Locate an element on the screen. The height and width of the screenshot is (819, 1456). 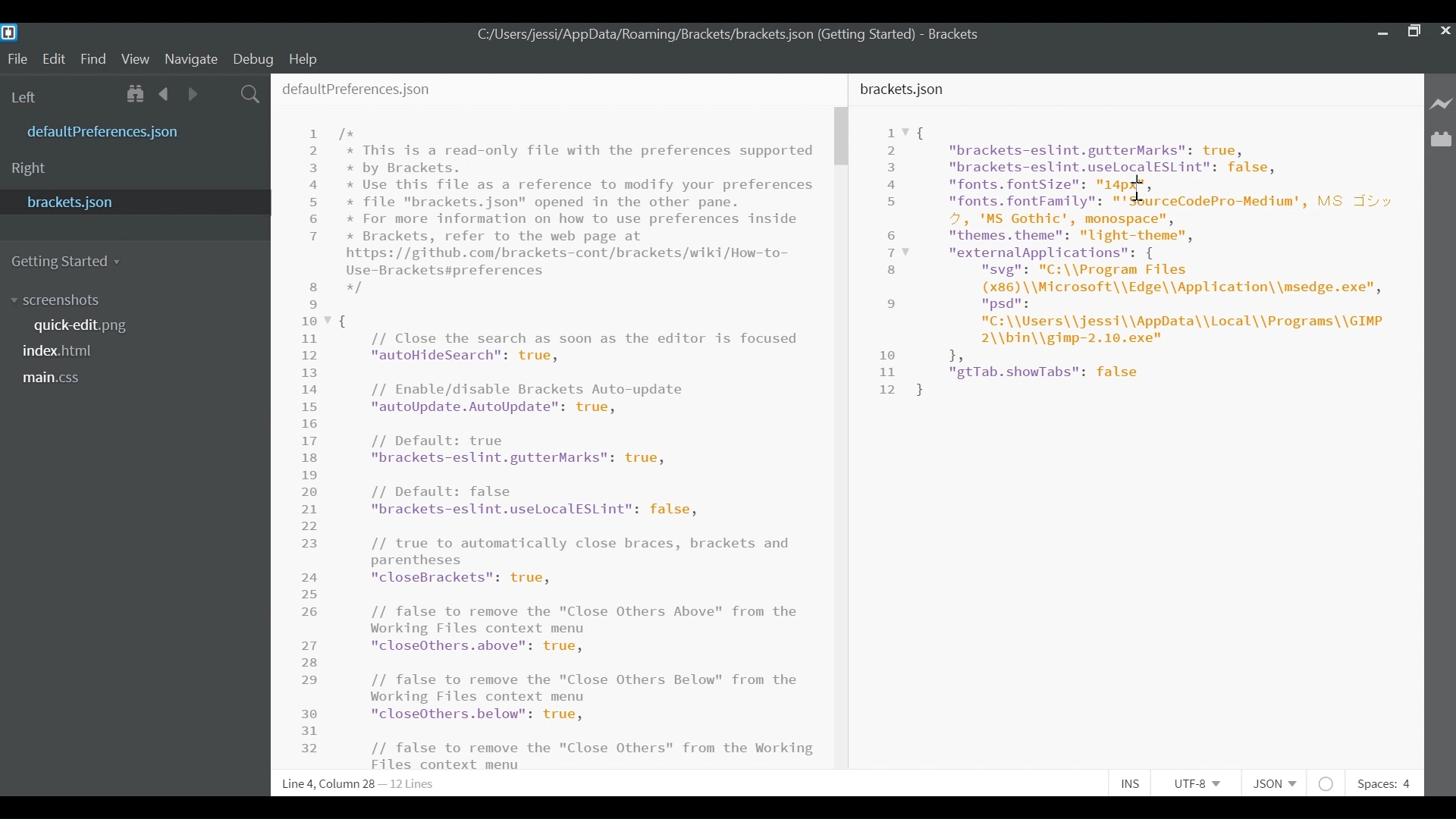
Show in File Tree is located at coordinates (138, 95).